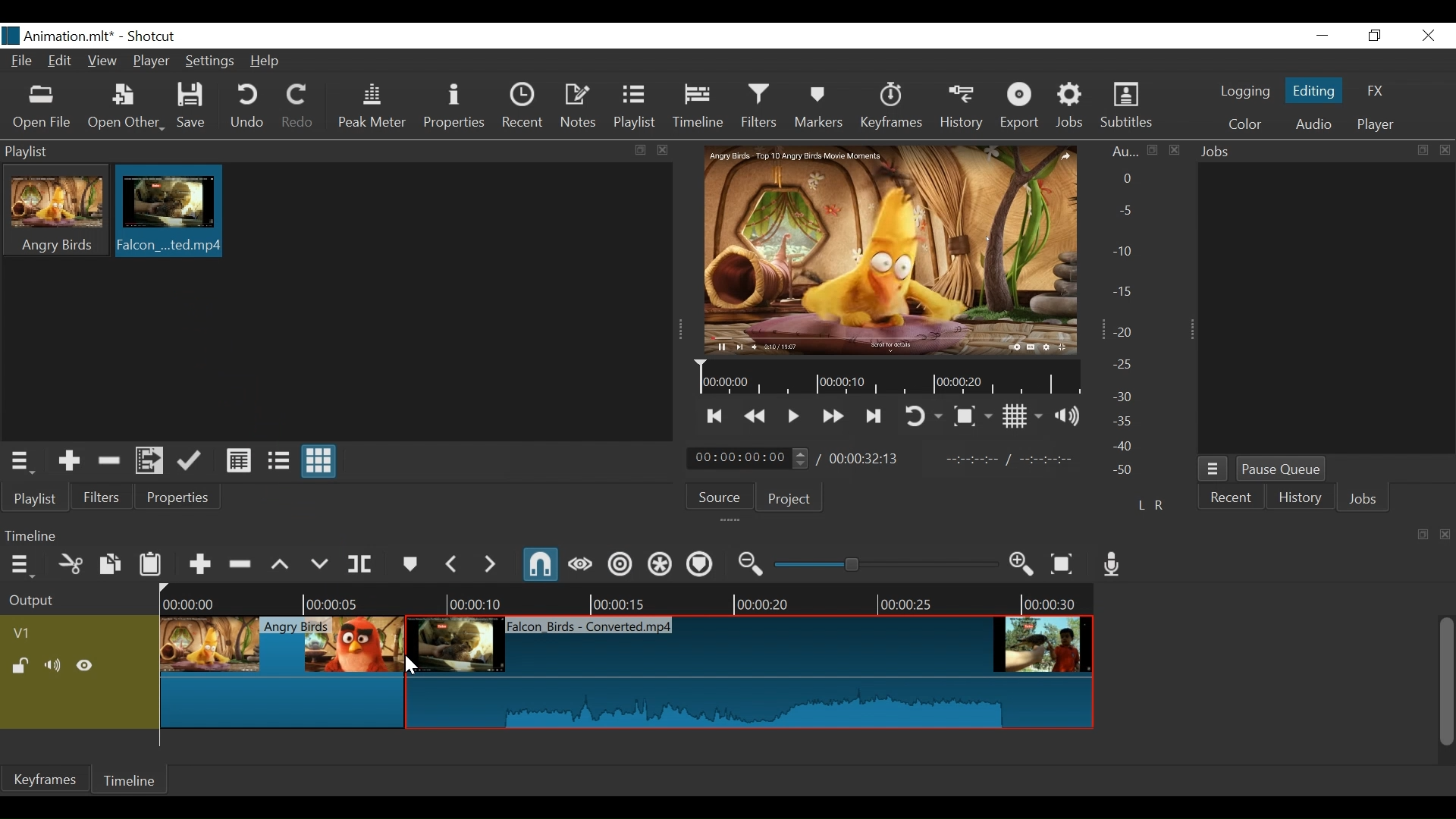  I want to click on Settings, so click(209, 60).